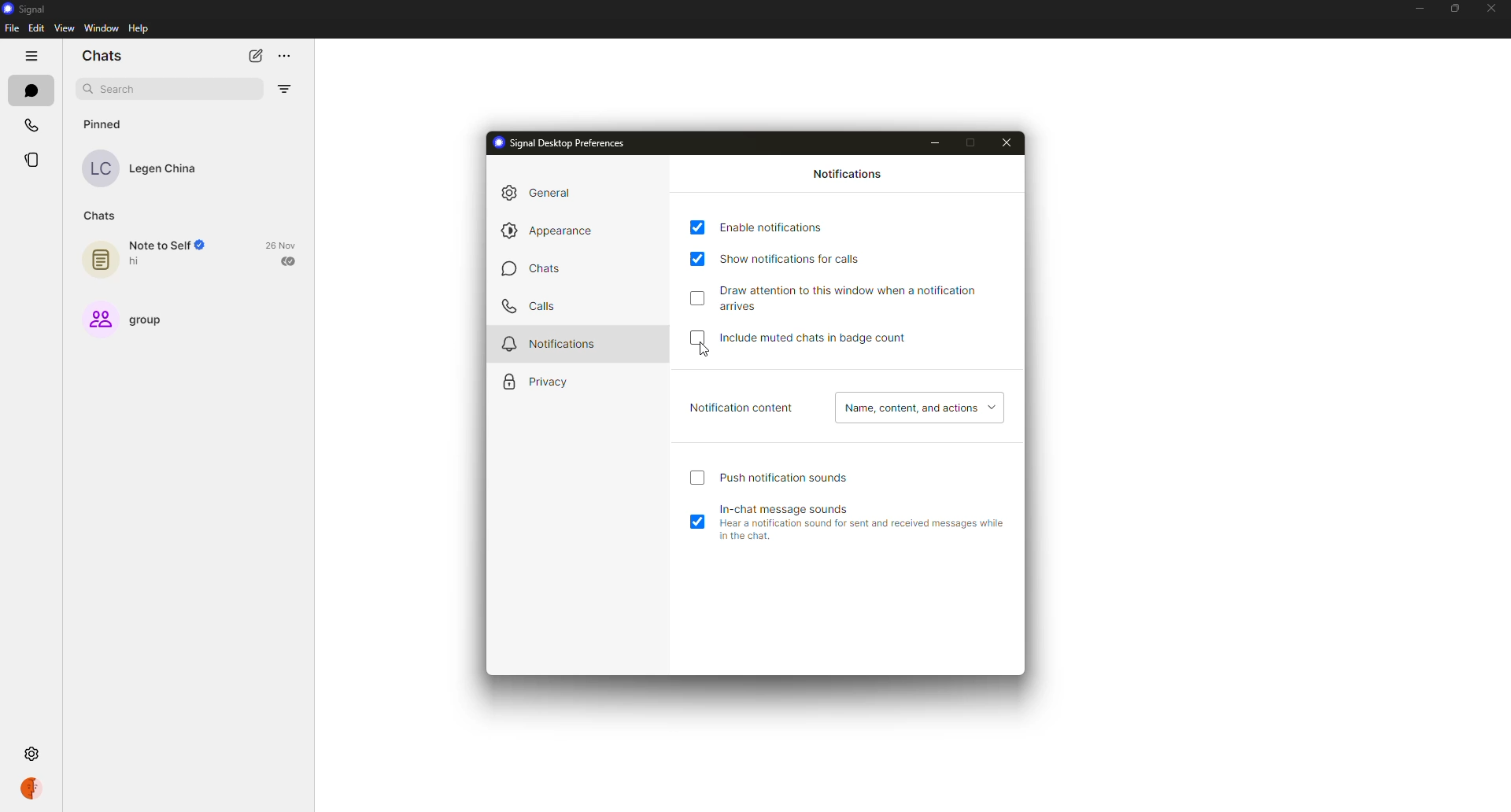  I want to click on enabled, so click(700, 258).